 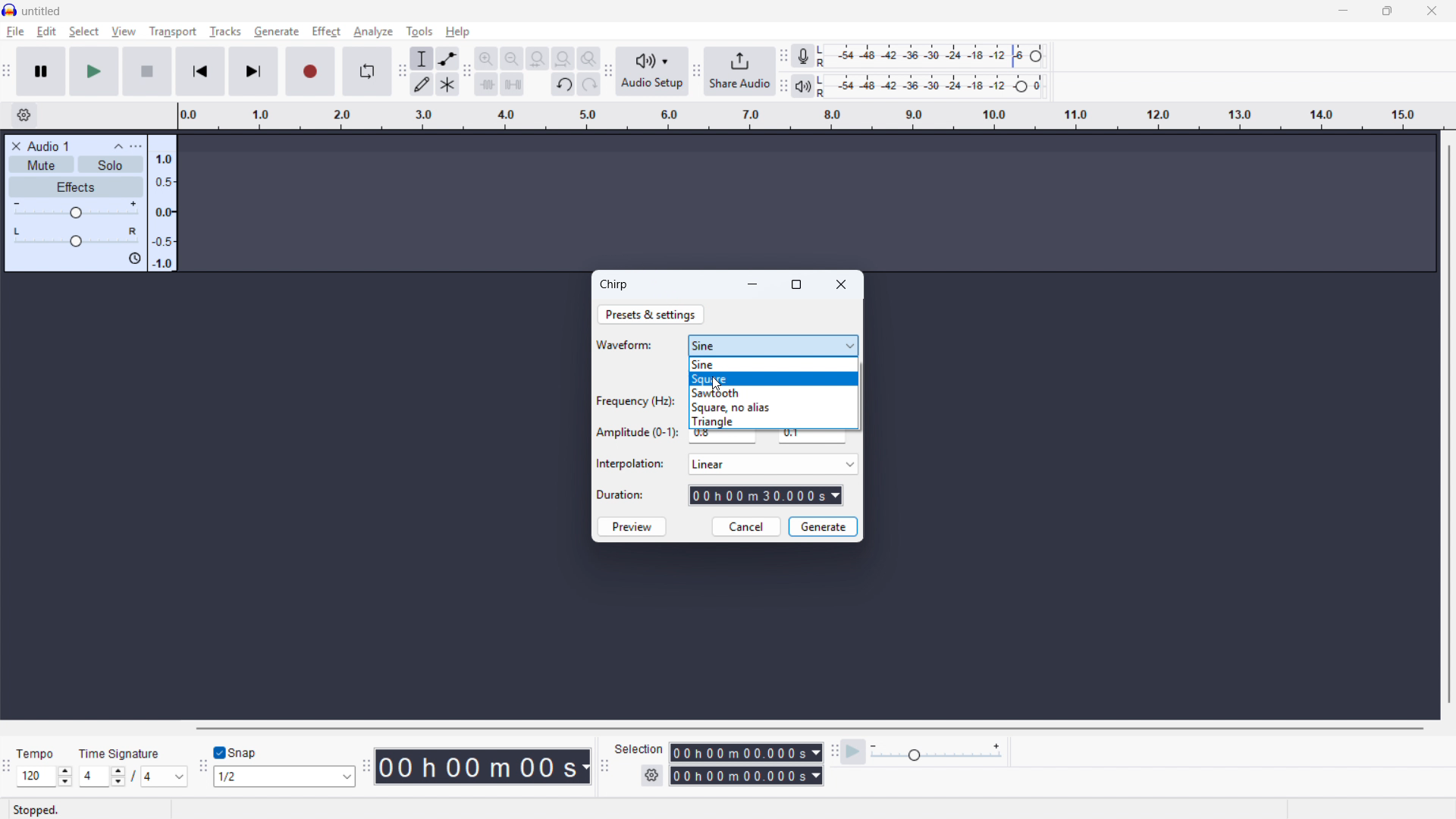 What do you see at coordinates (937, 752) in the screenshot?
I see `Playback speed ` at bounding box center [937, 752].